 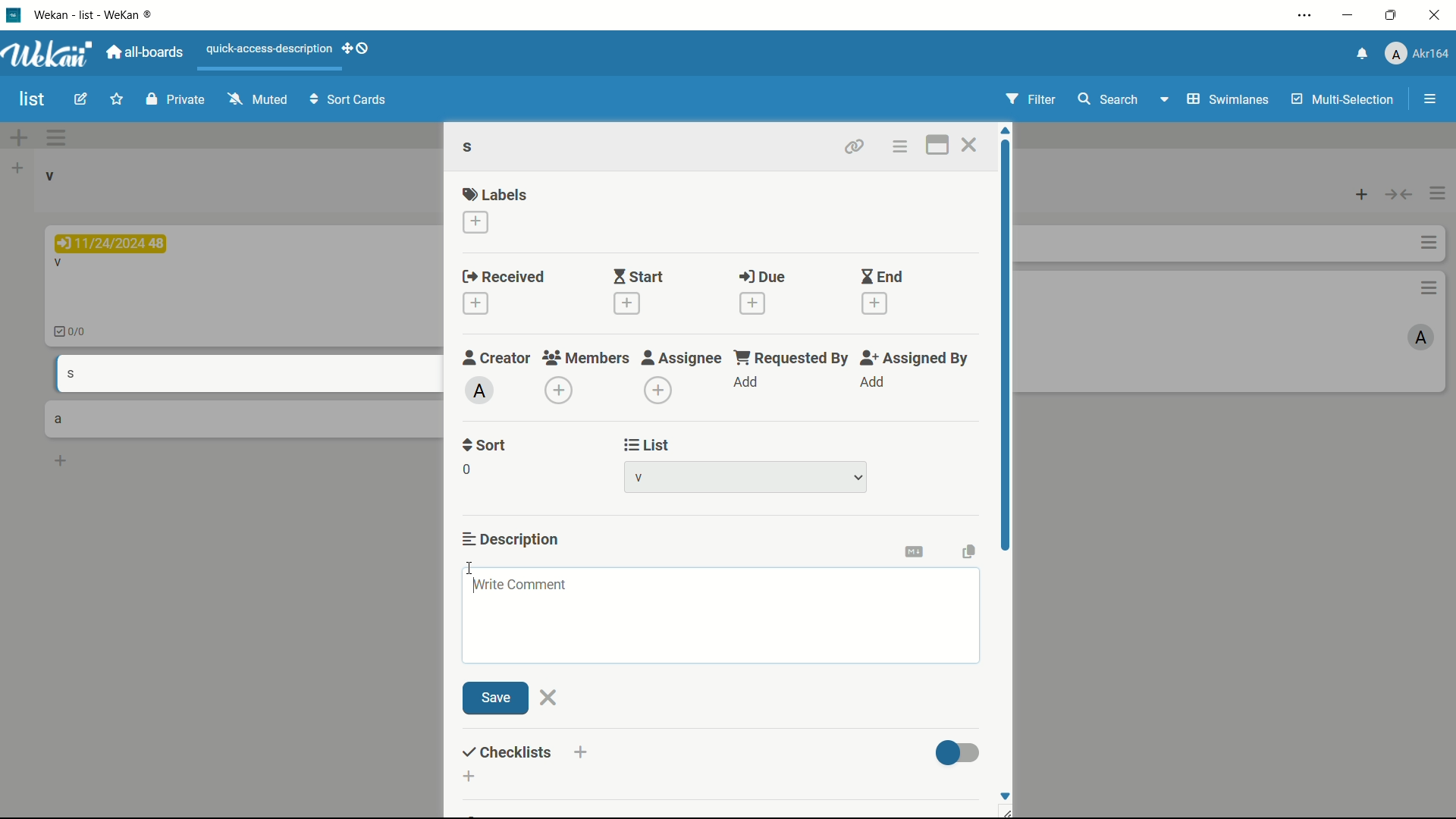 I want to click on maximize card, so click(x=939, y=145).